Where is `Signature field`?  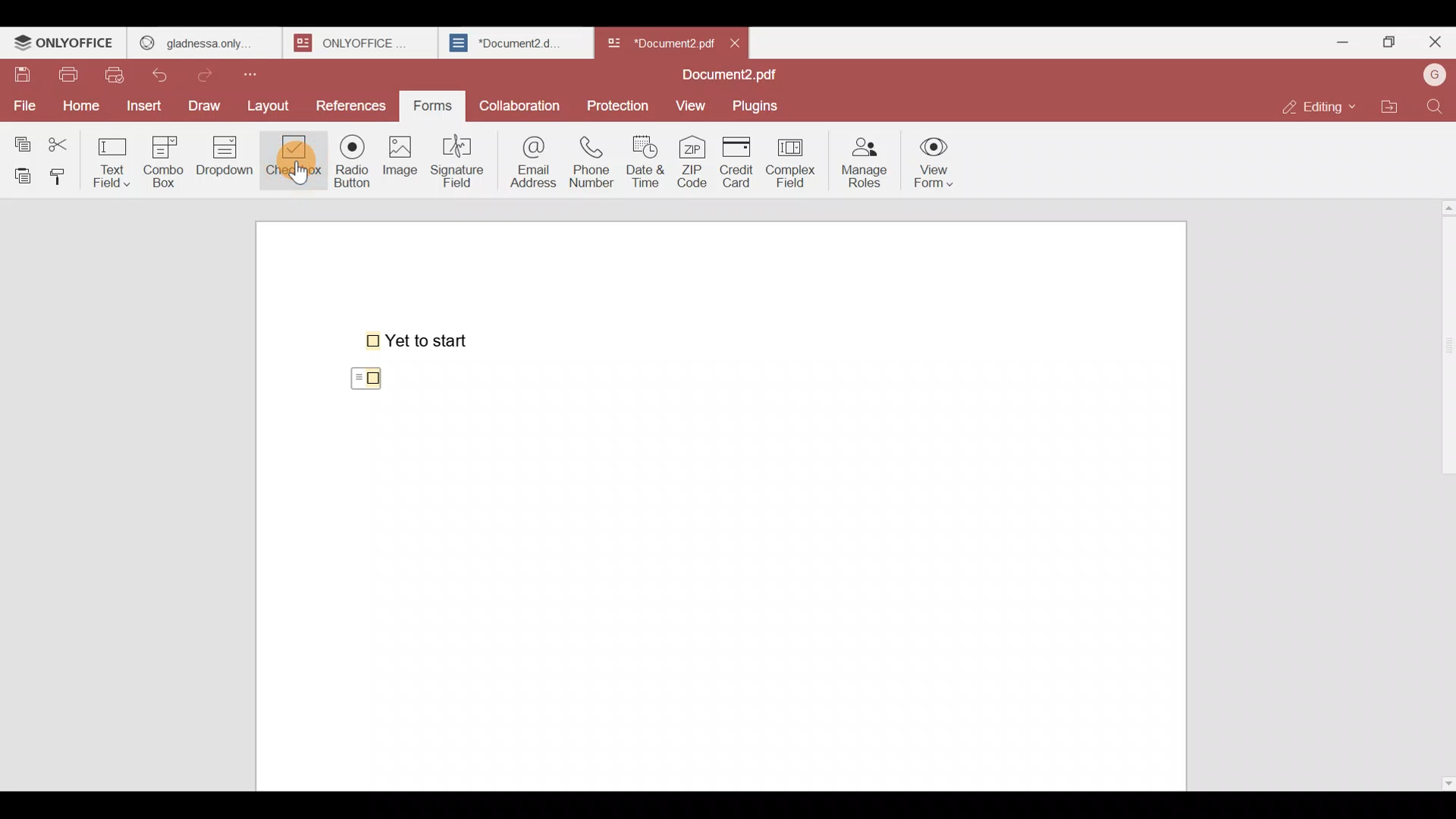 Signature field is located at coordinates (462, 159).